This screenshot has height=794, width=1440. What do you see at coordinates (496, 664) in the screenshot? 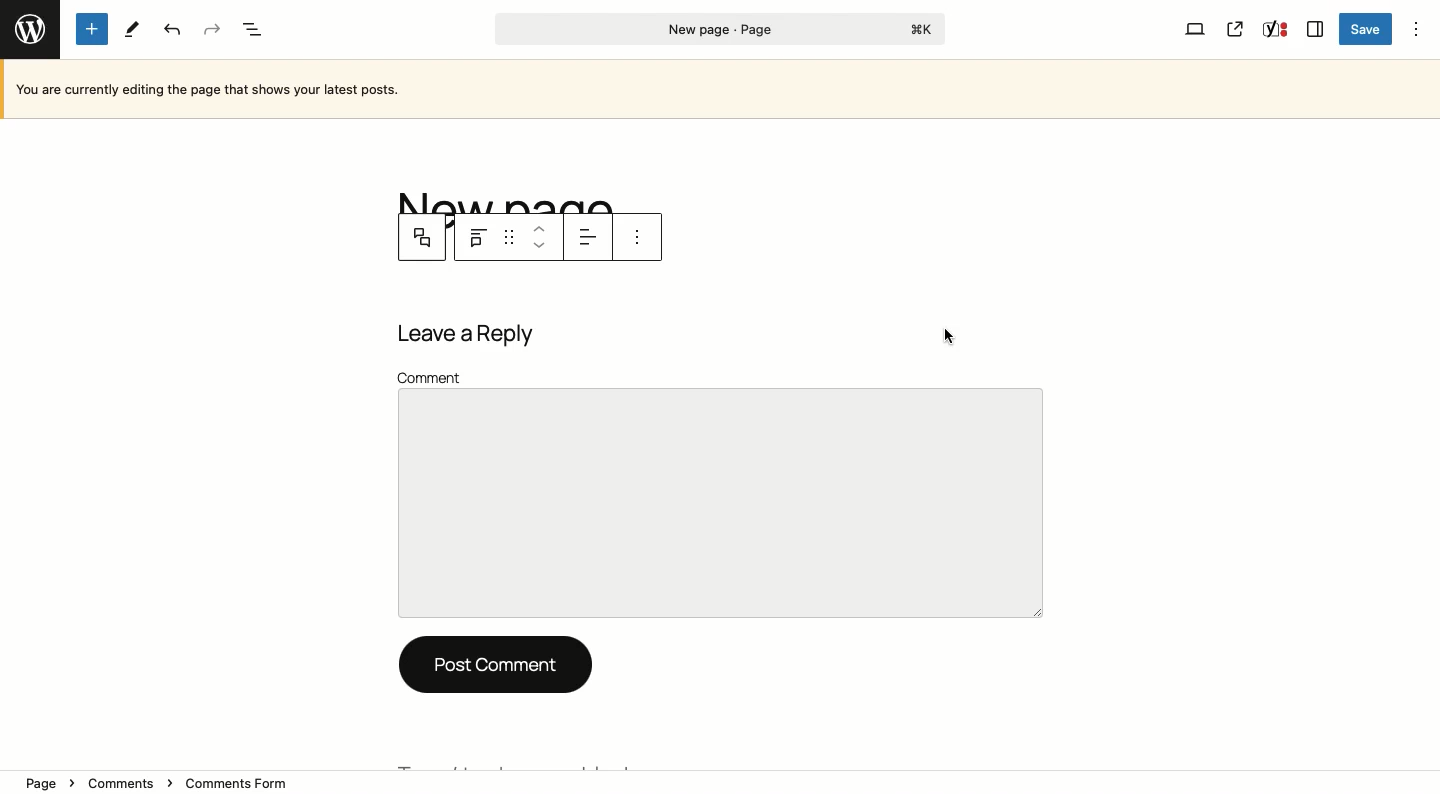
I see `Post comment` at bounding box center [496, 664].